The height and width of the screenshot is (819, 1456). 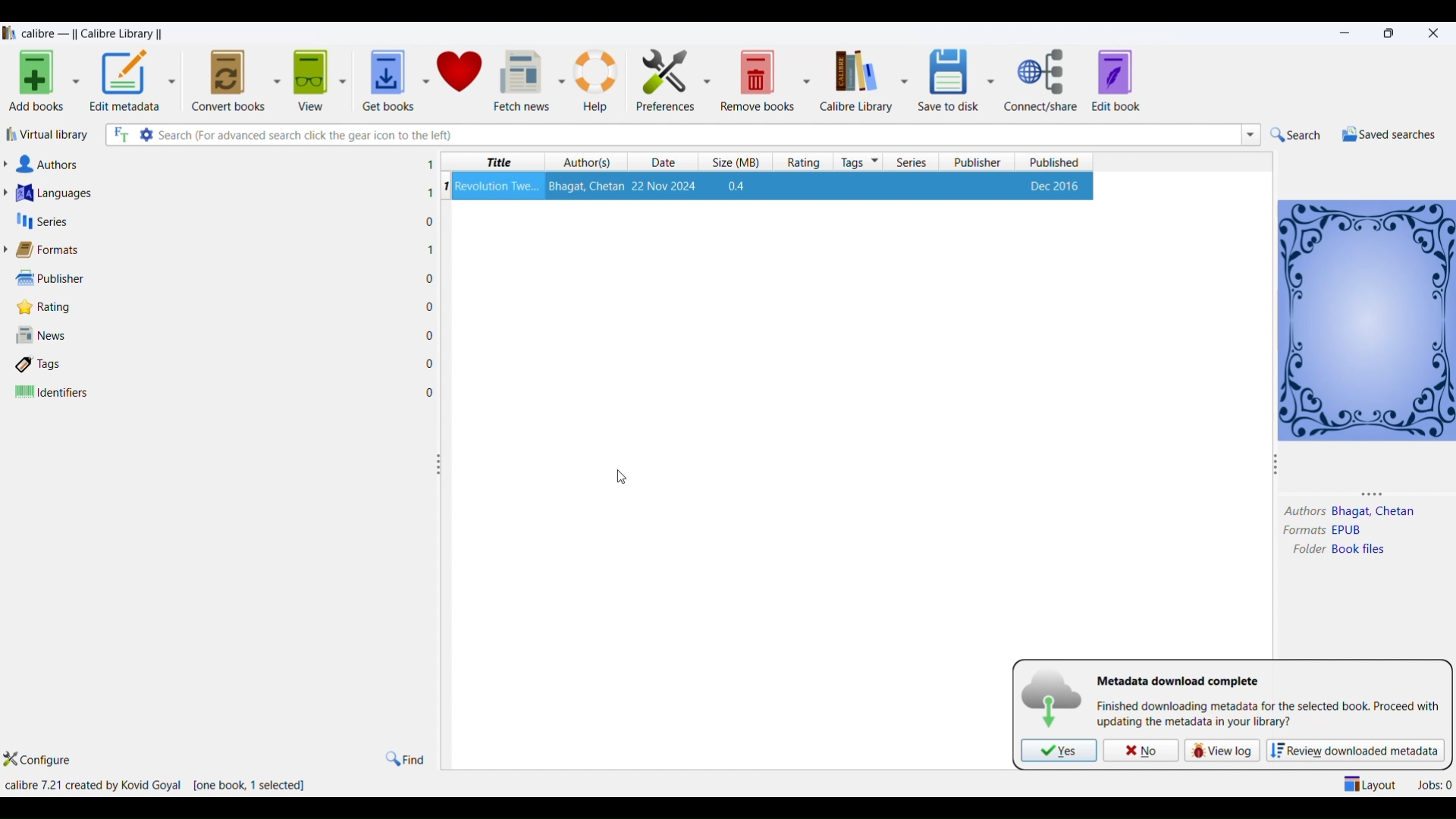 What do you see at coordinates (1276, 467) in the screenshot?
I see `resize` at bounding box center [1276, 467].